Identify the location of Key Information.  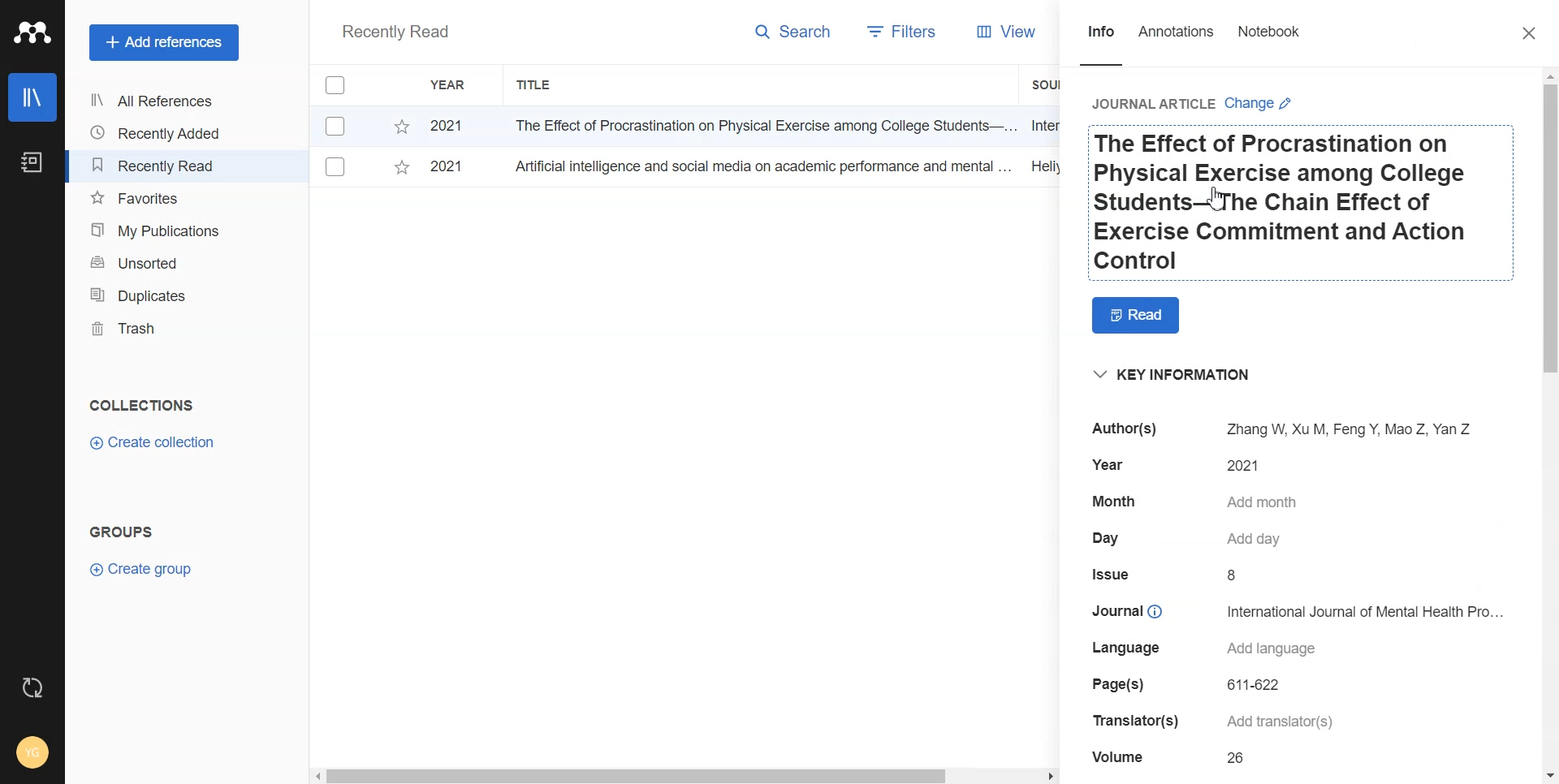
(1171, 373).